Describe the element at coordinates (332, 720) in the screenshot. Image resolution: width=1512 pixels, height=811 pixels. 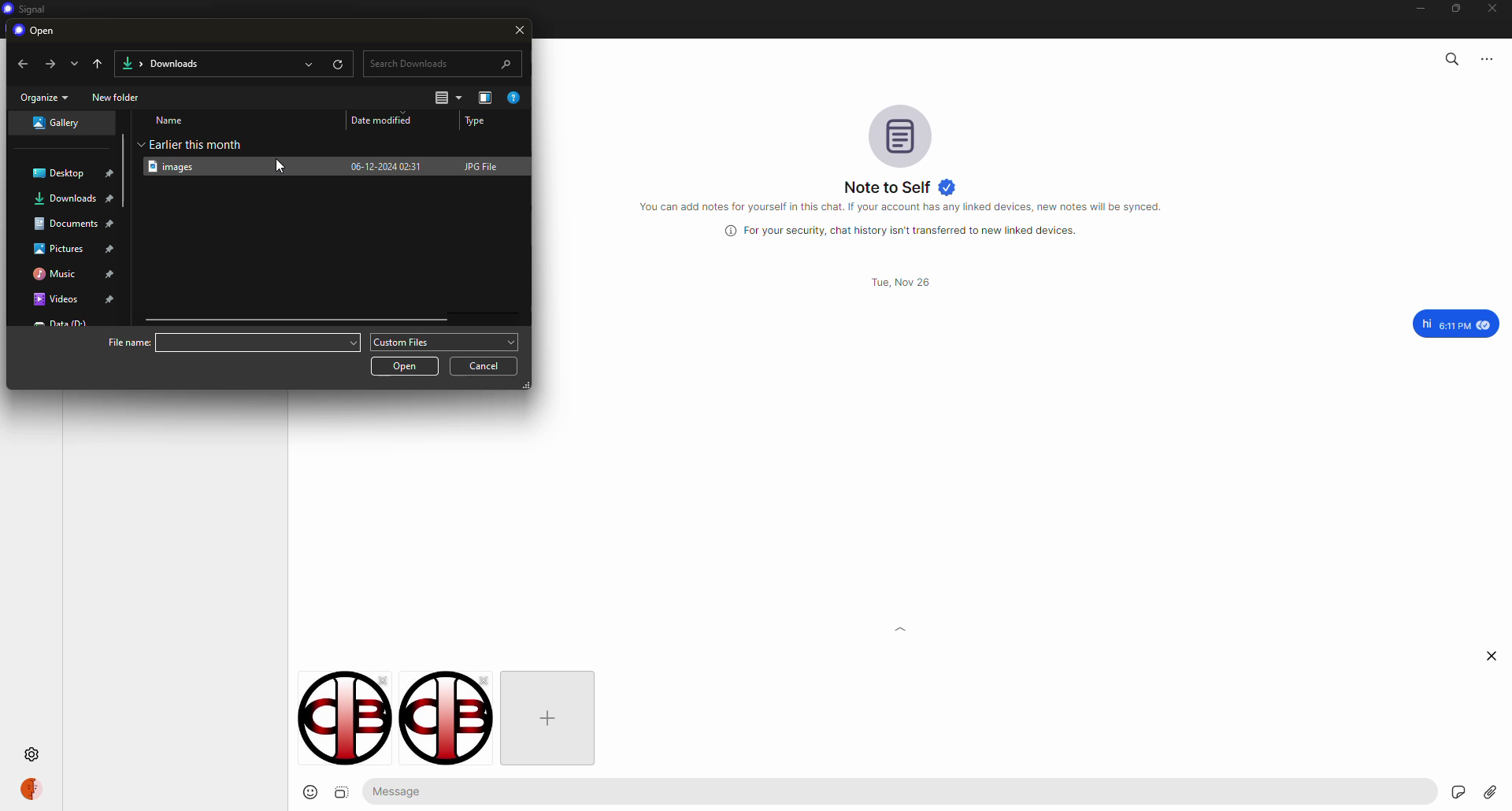
I see `image` at that location.